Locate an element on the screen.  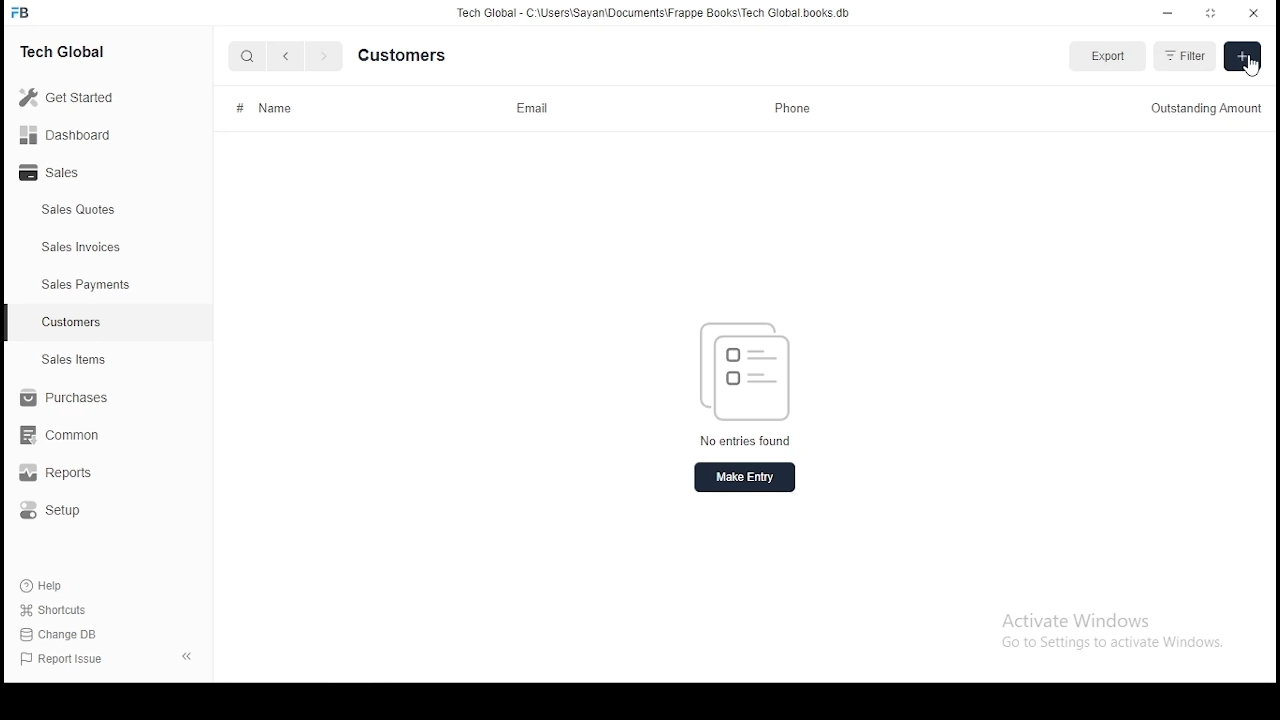
search is located at coordinates (248, 55).